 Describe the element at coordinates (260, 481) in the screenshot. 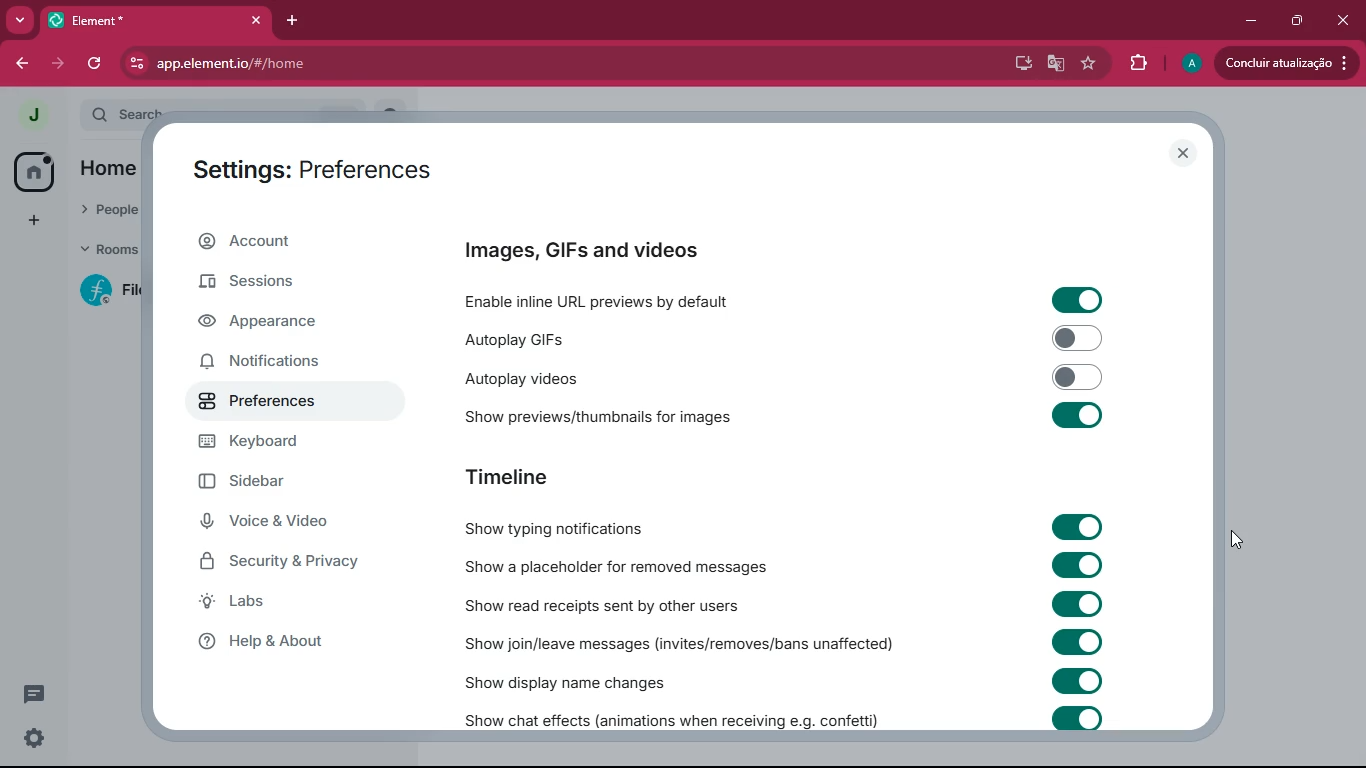

I see `sidebar` at that location.